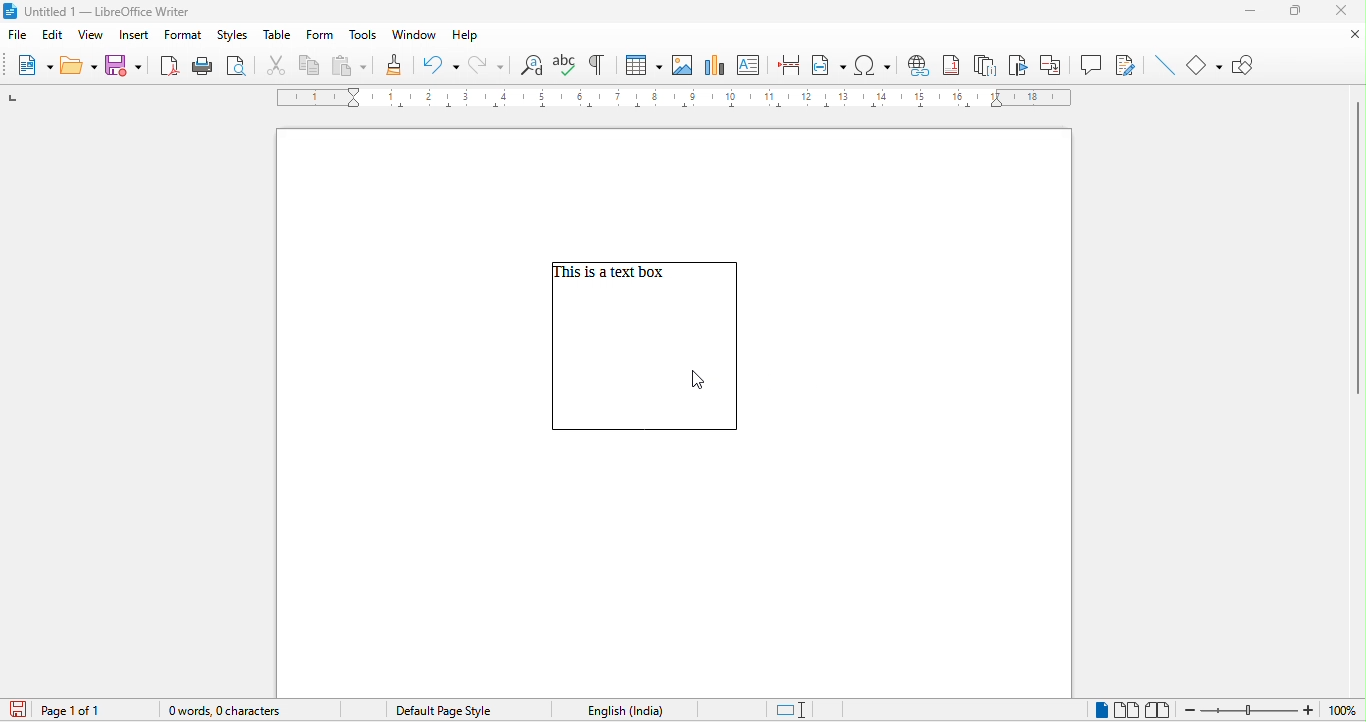 The width and height of the screenshot is (1366, 722). What do you see at coordinates (183, 36) in the screenshot?
I see `format` at bounding box center [183, 36].